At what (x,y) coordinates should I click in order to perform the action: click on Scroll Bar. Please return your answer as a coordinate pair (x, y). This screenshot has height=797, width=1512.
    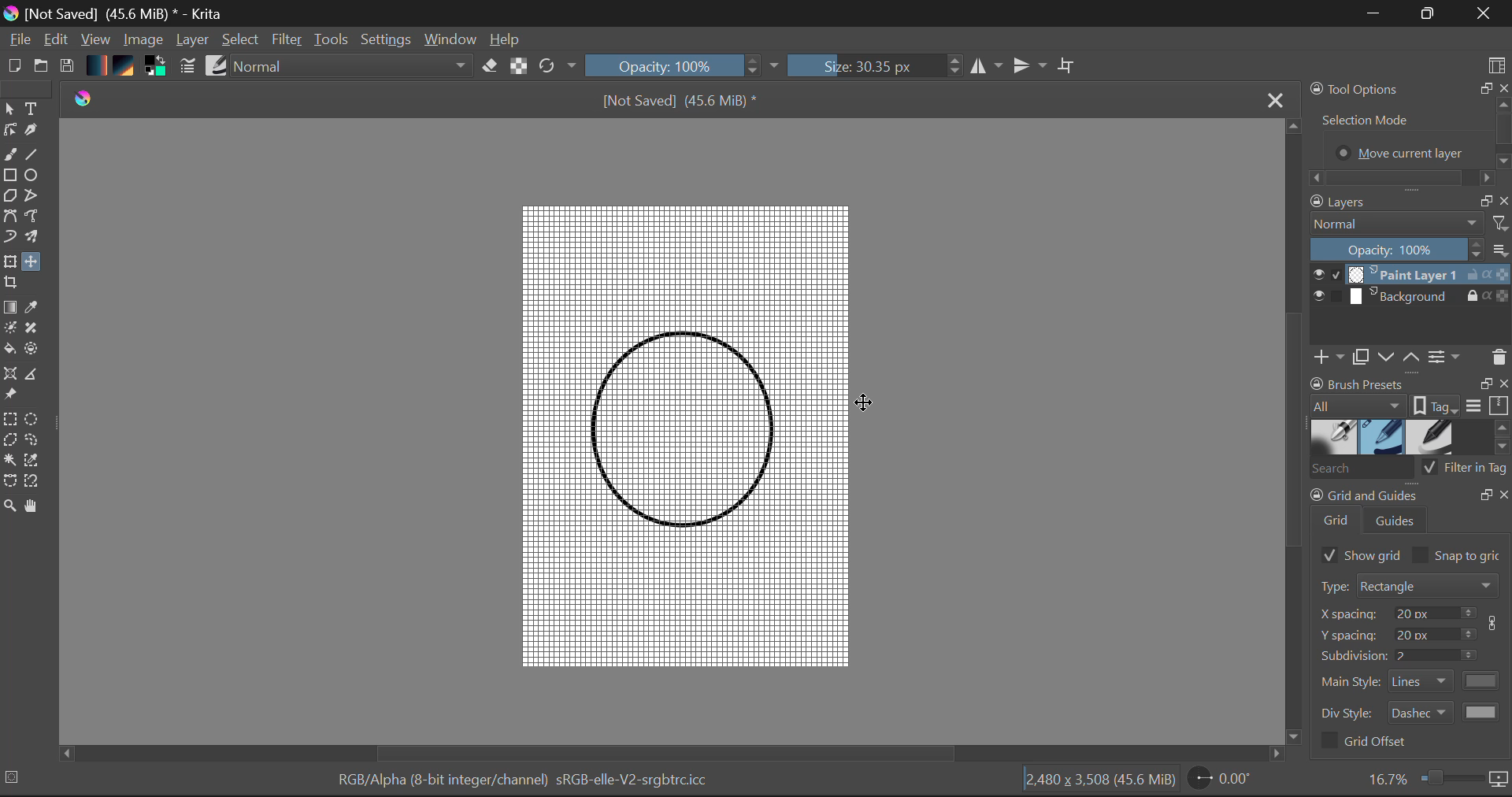
    Looking at the image, I should click on (1293, 432).